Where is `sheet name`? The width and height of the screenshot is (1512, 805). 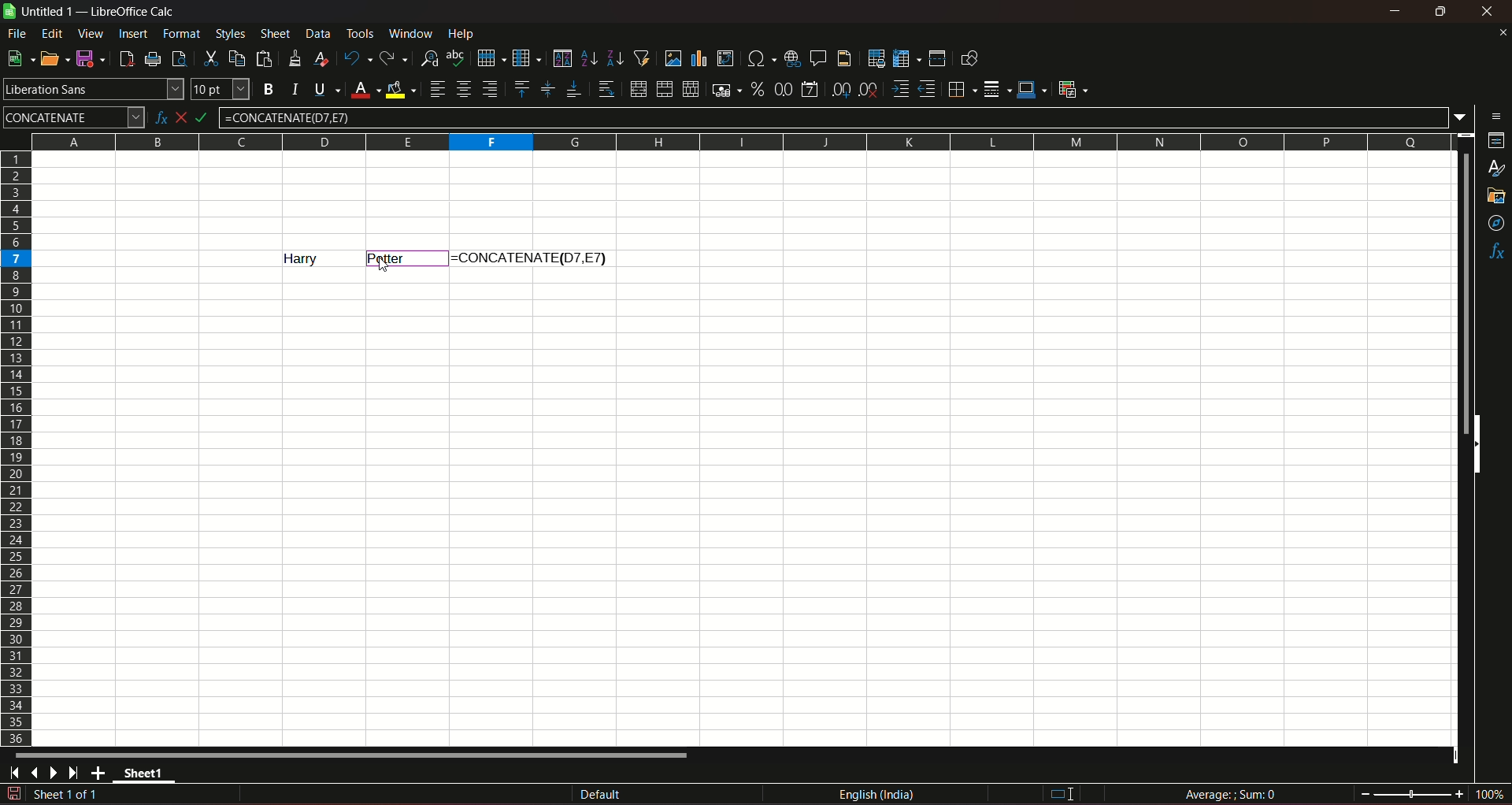 sheet name is located at coordinates (148, 776).